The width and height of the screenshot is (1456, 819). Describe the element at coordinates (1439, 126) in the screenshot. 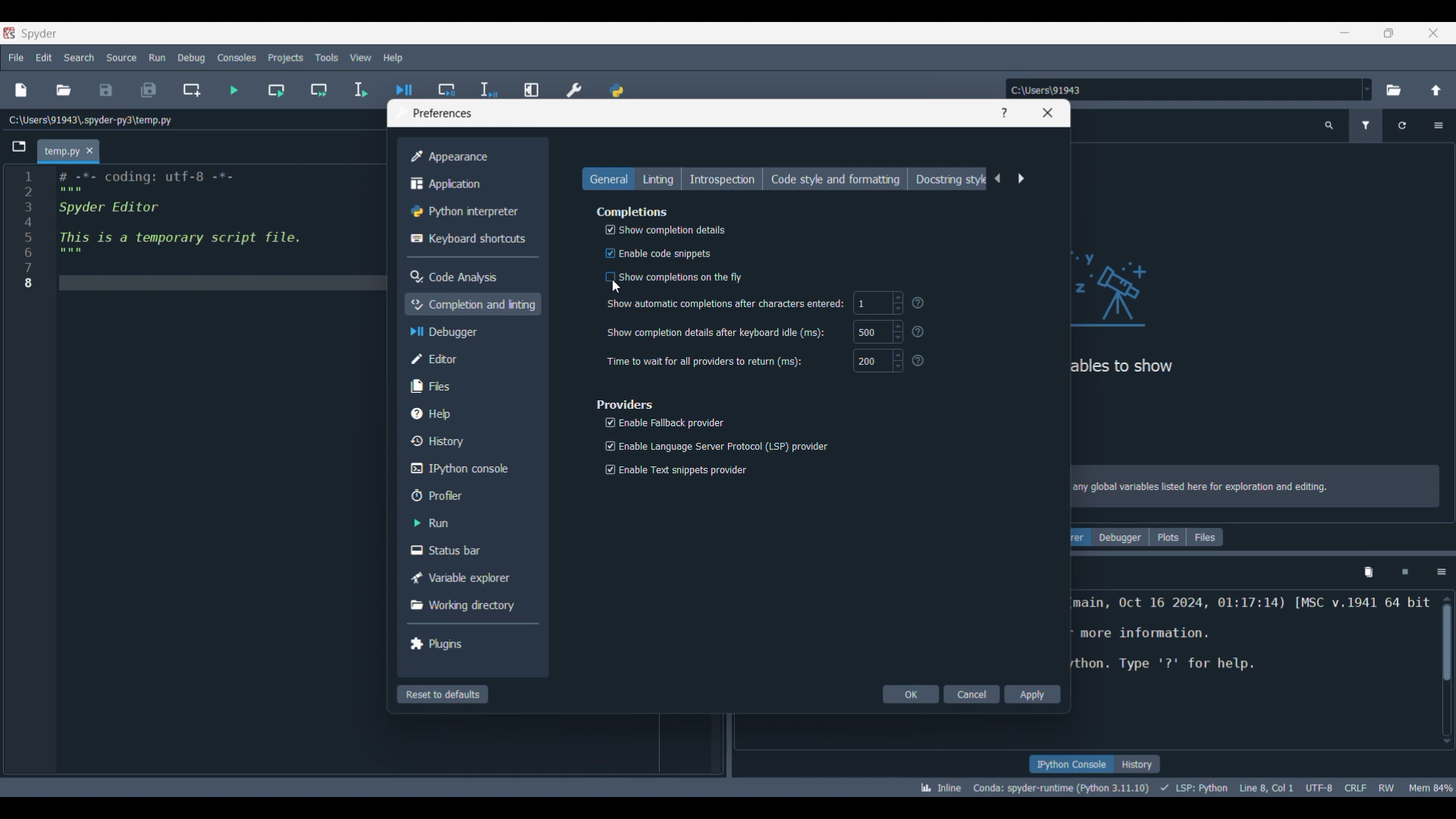

I see `Options` at that location.